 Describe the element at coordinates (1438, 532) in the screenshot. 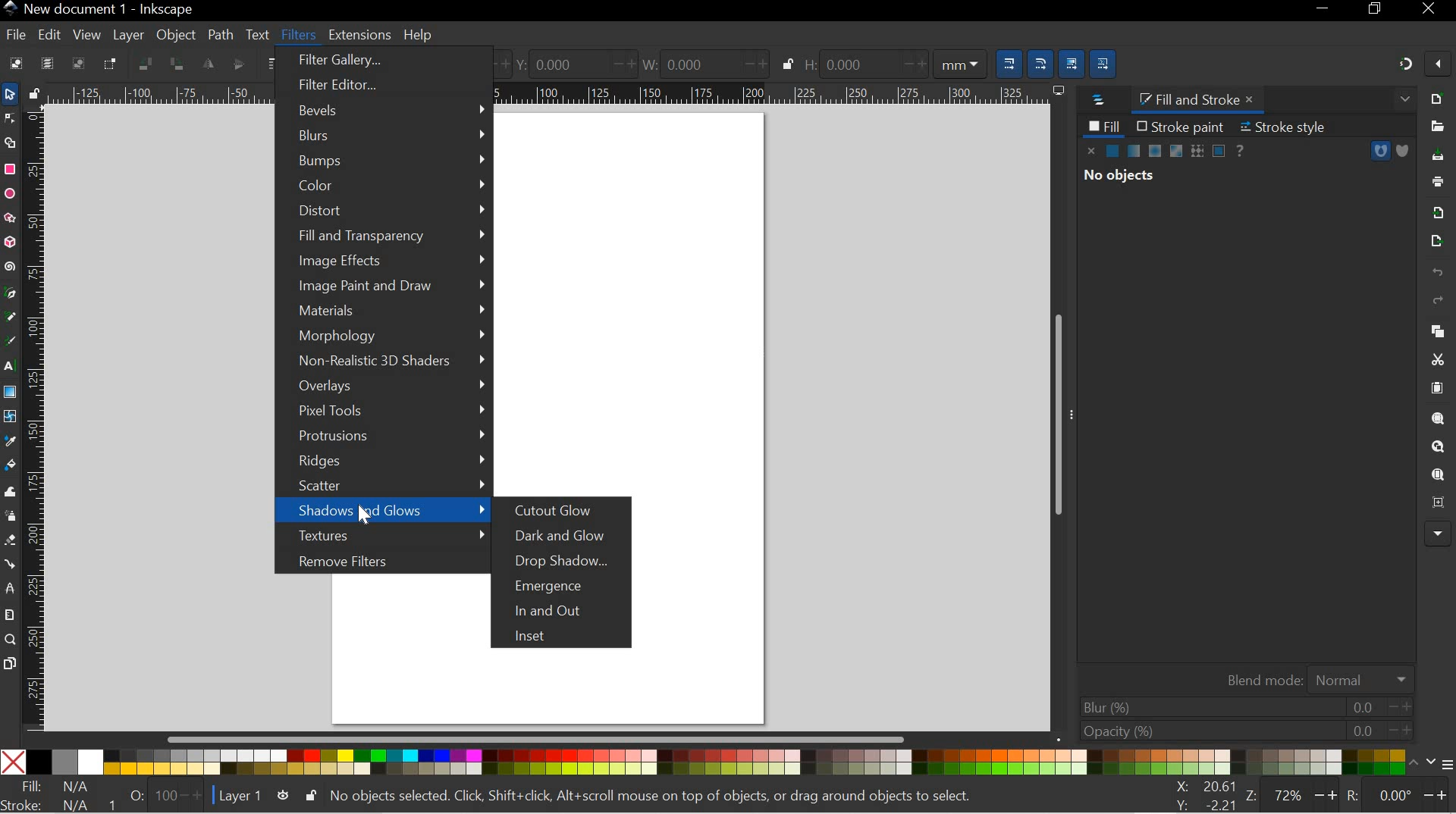

I see `Image and Text Effects` at that location.